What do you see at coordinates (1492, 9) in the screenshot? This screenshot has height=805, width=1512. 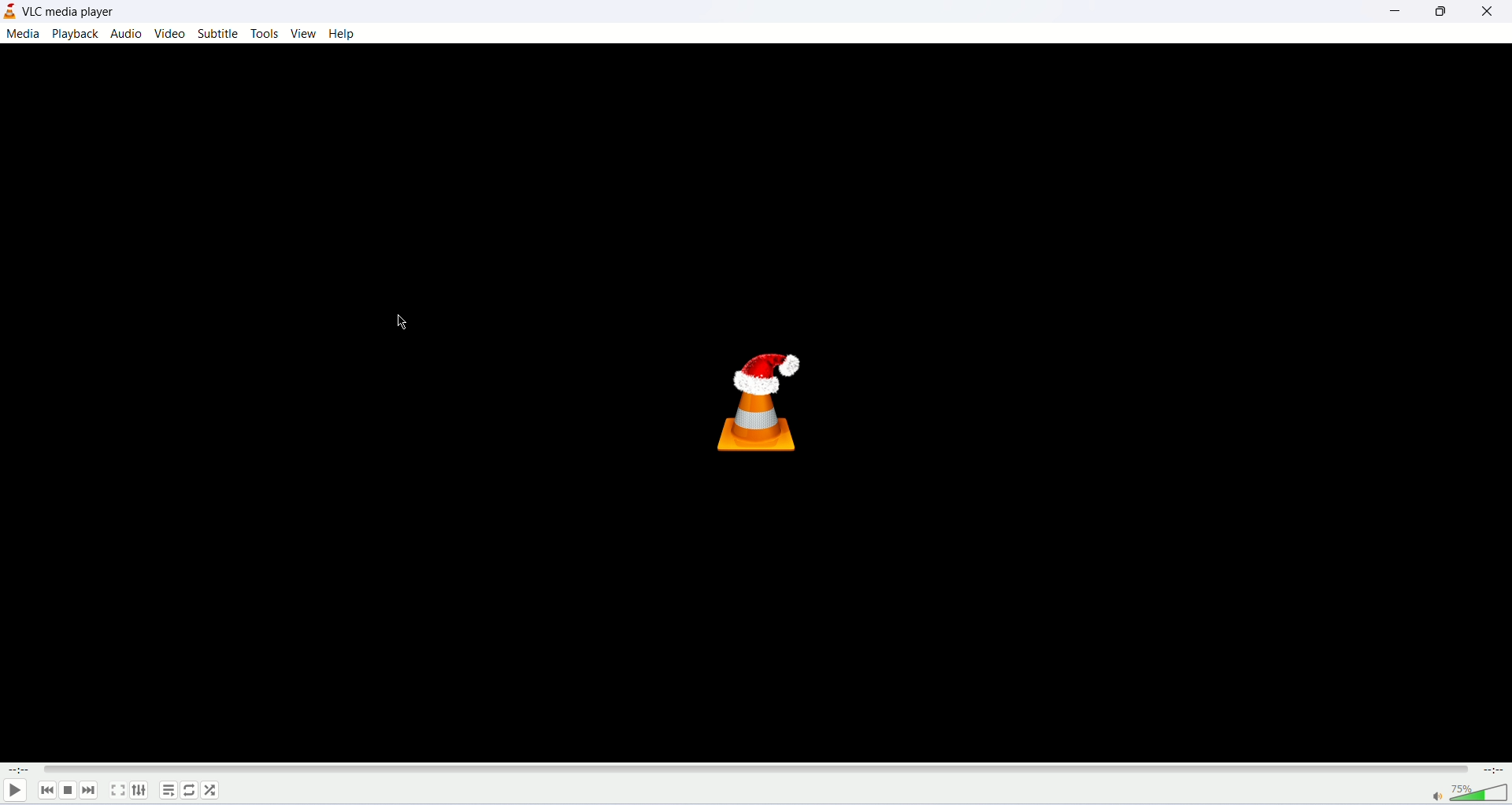 I see `close` at bounding box center [1492, 9].